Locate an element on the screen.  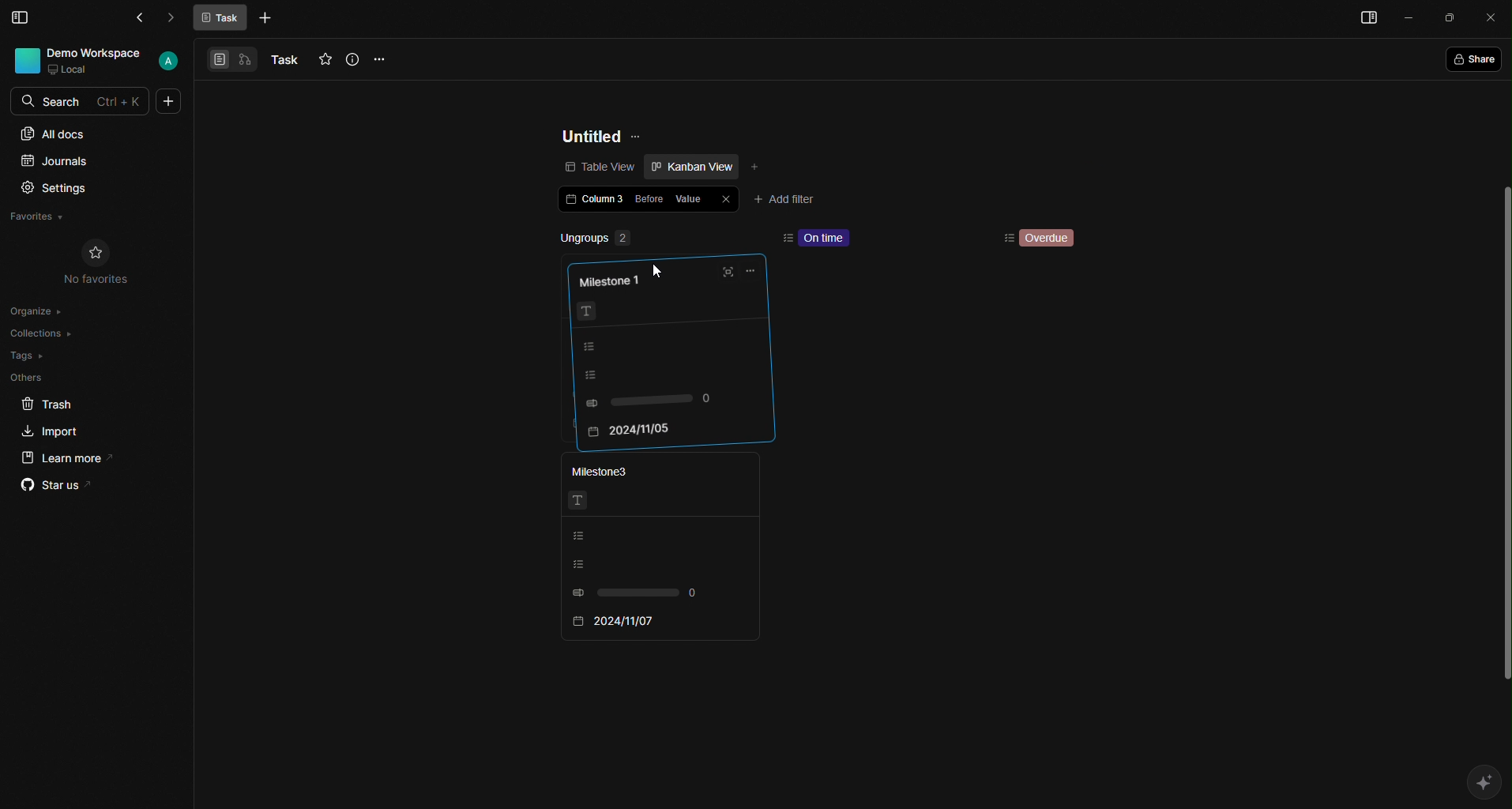
scroll is located at coordinates (1502, 396).